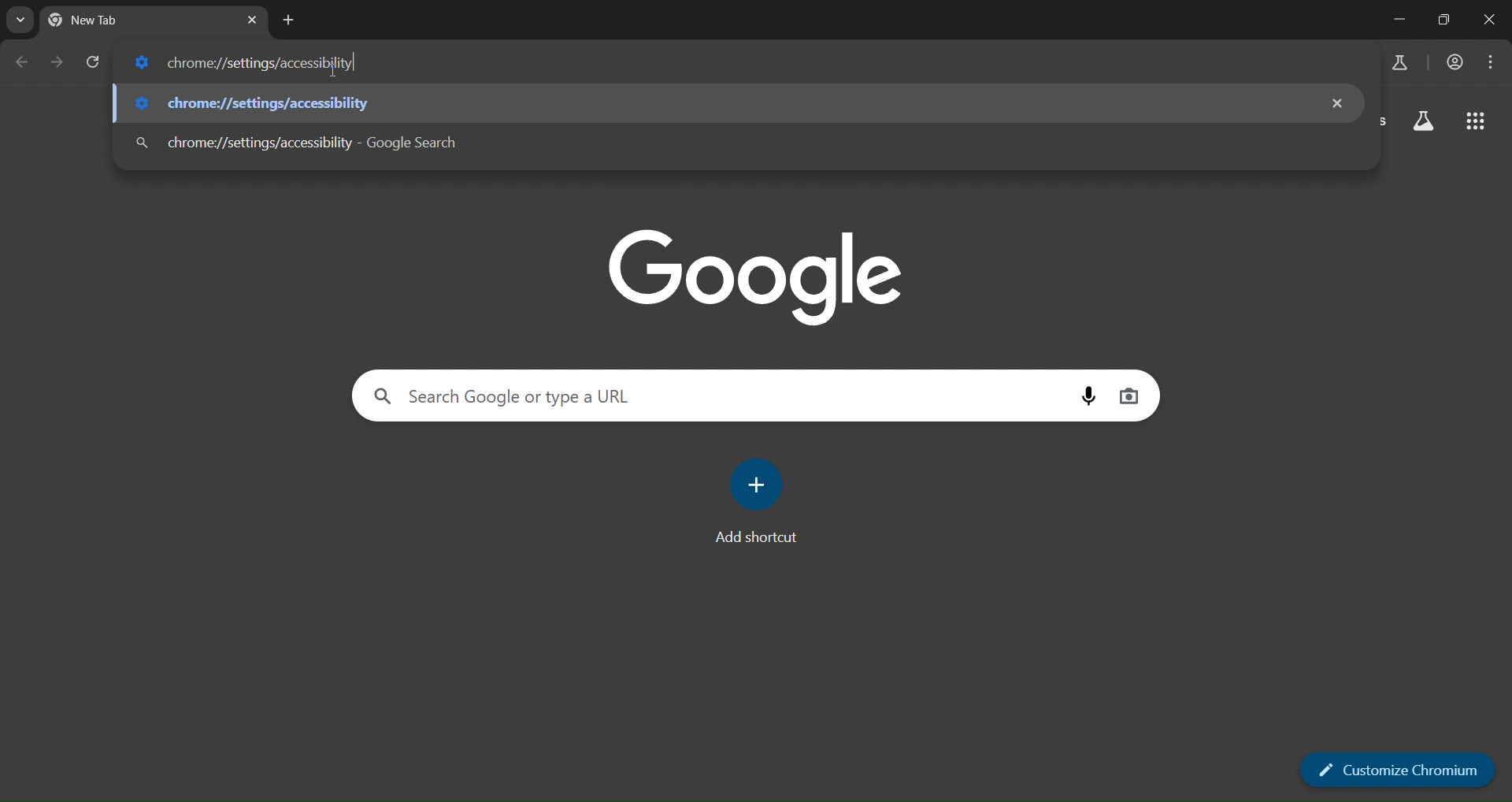 This screenshot has height=802, width=1512. Describe the element at coordinates (504, 399) in the screenshot. I see `Search Google or type a URL` at that location.